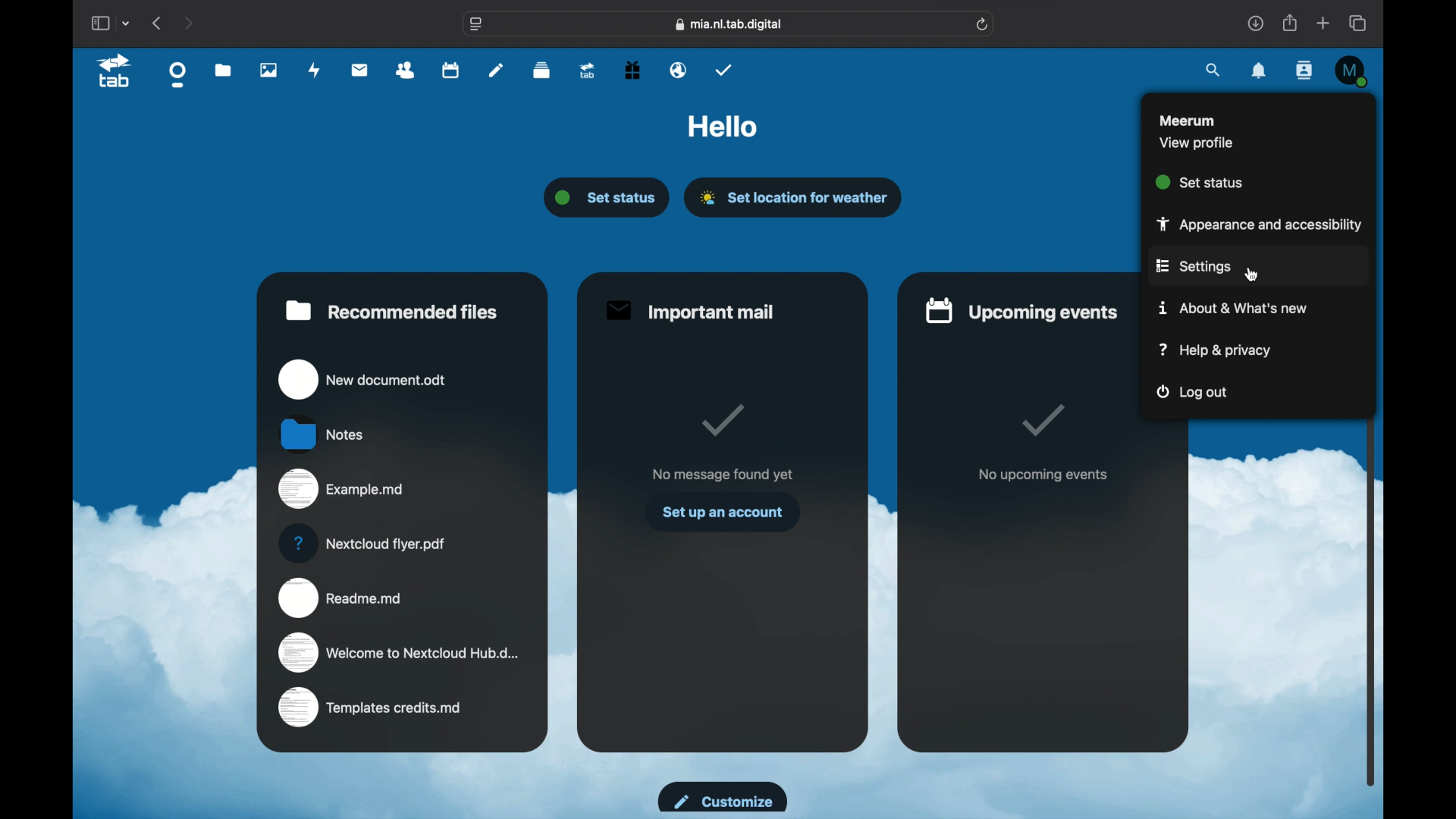  Describe the element at coordinates (1259, 71) in the screenshot. I see `notifications` at that location.